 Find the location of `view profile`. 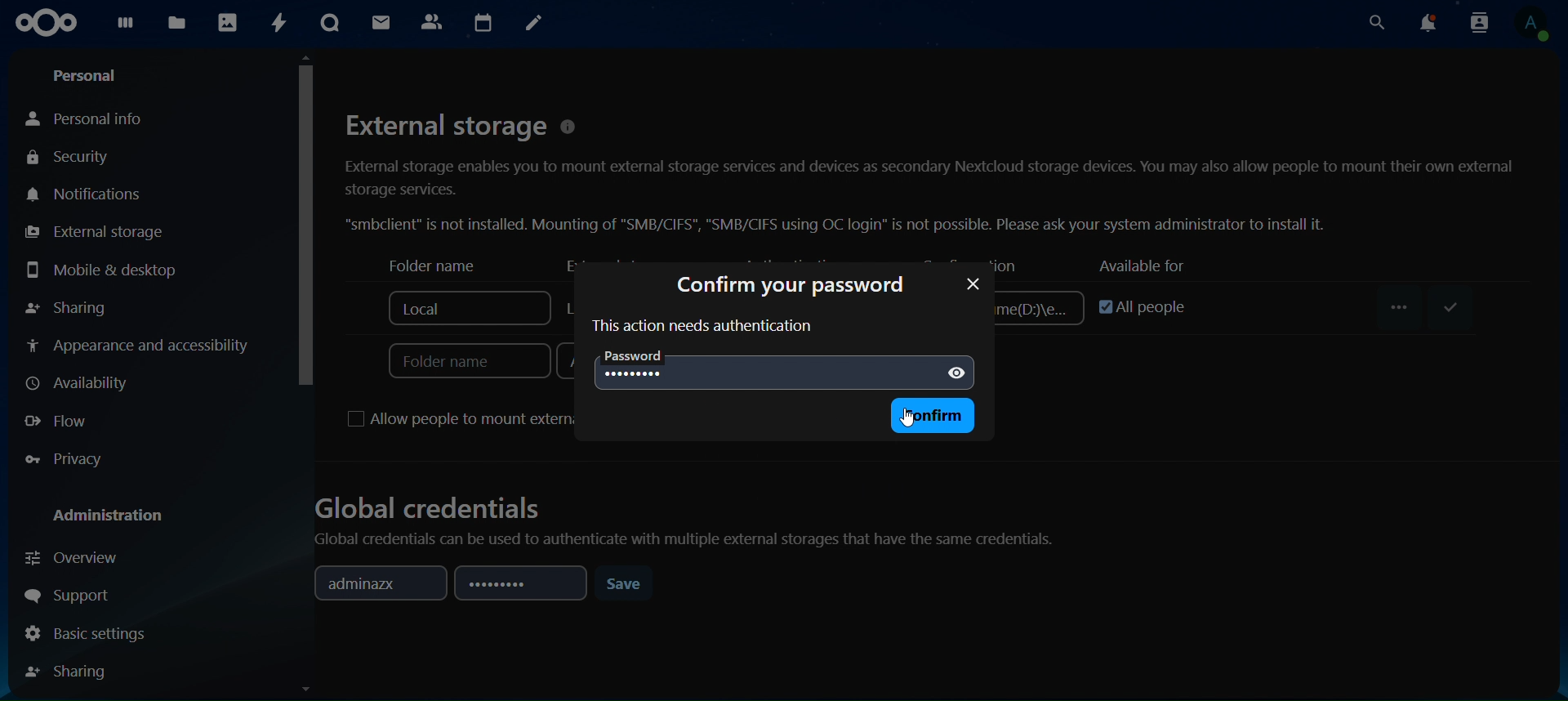

view profile is located at coordinates (1538, 25).